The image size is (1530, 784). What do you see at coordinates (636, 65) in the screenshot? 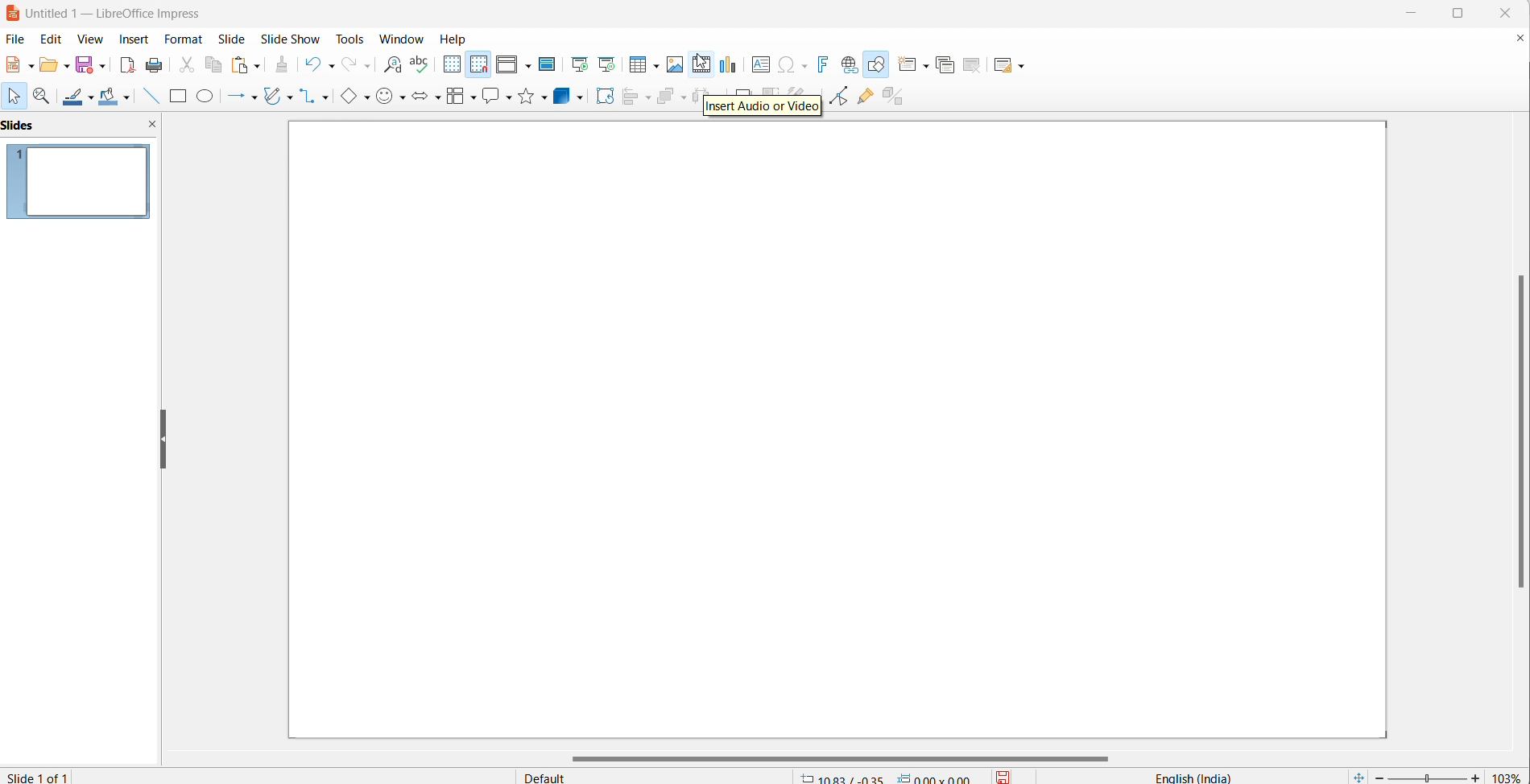
I see `insert table` at bounding box center [636, 65].